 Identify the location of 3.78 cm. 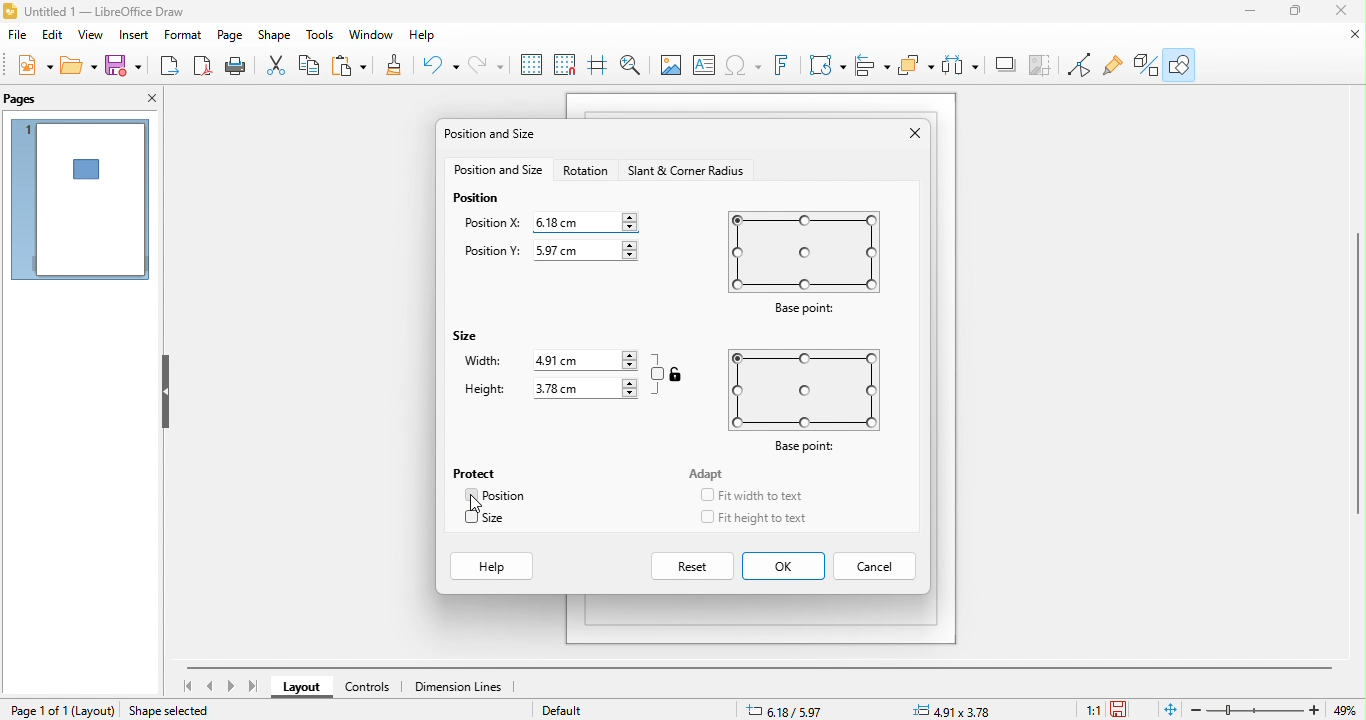
(584, 389).